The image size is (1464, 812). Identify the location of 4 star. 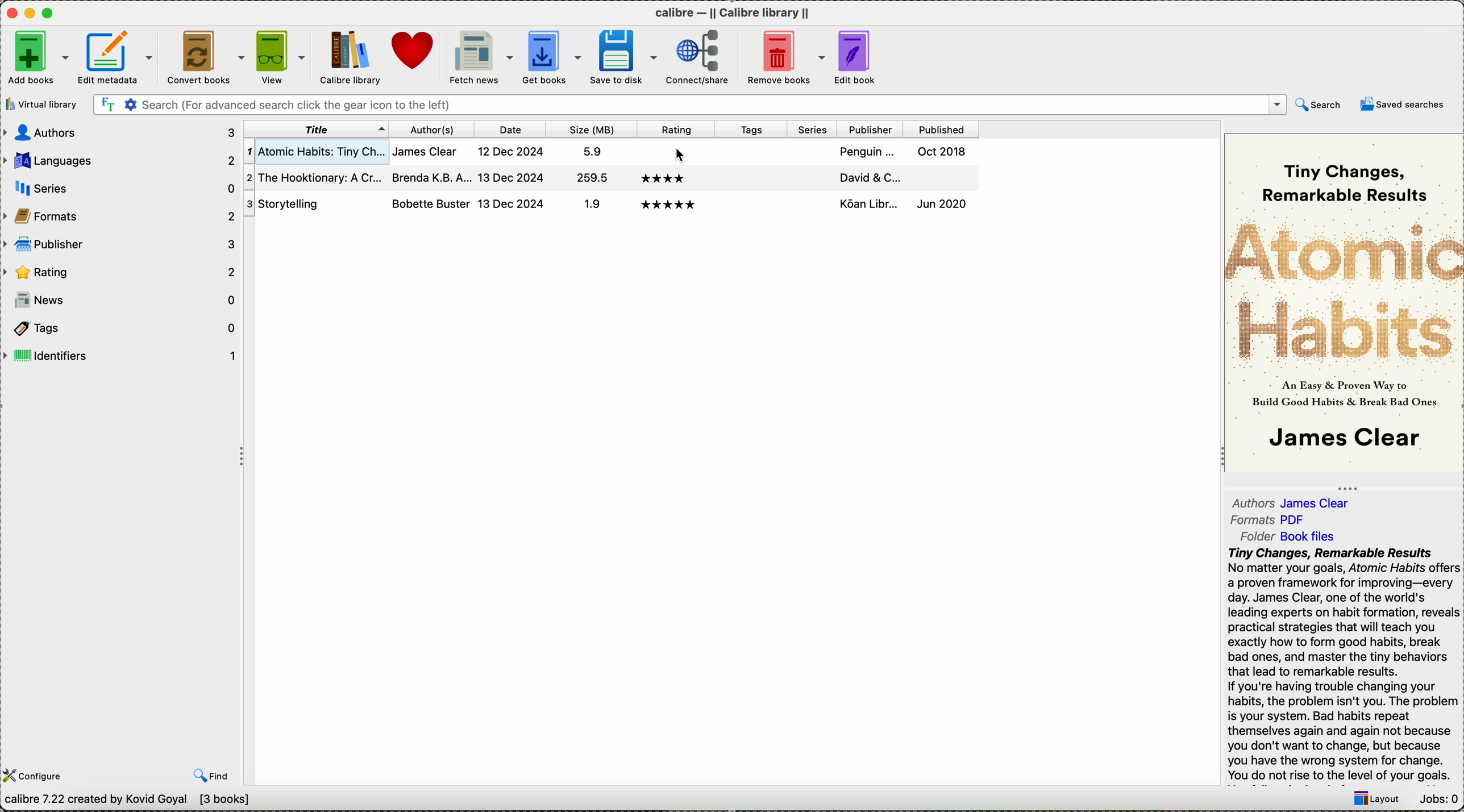
(662, 178).